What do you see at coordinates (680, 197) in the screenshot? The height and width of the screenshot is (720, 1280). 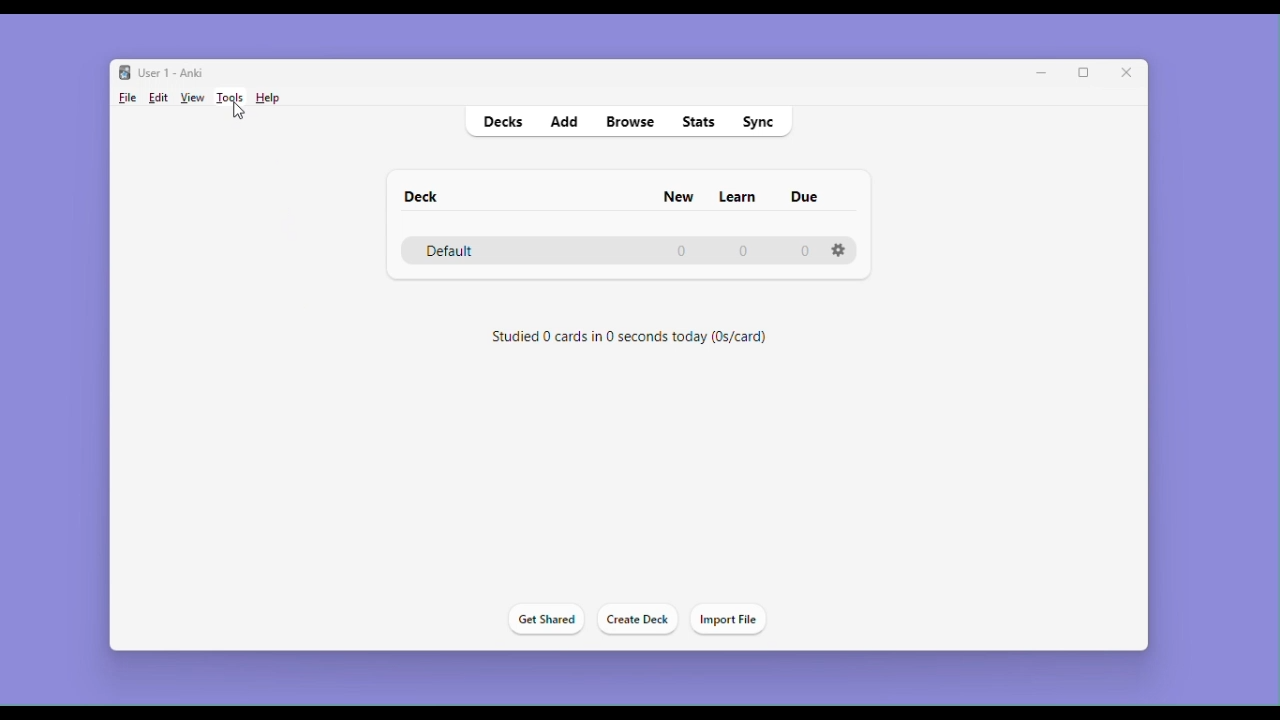 I see `New` at bounding box center [680, 197].